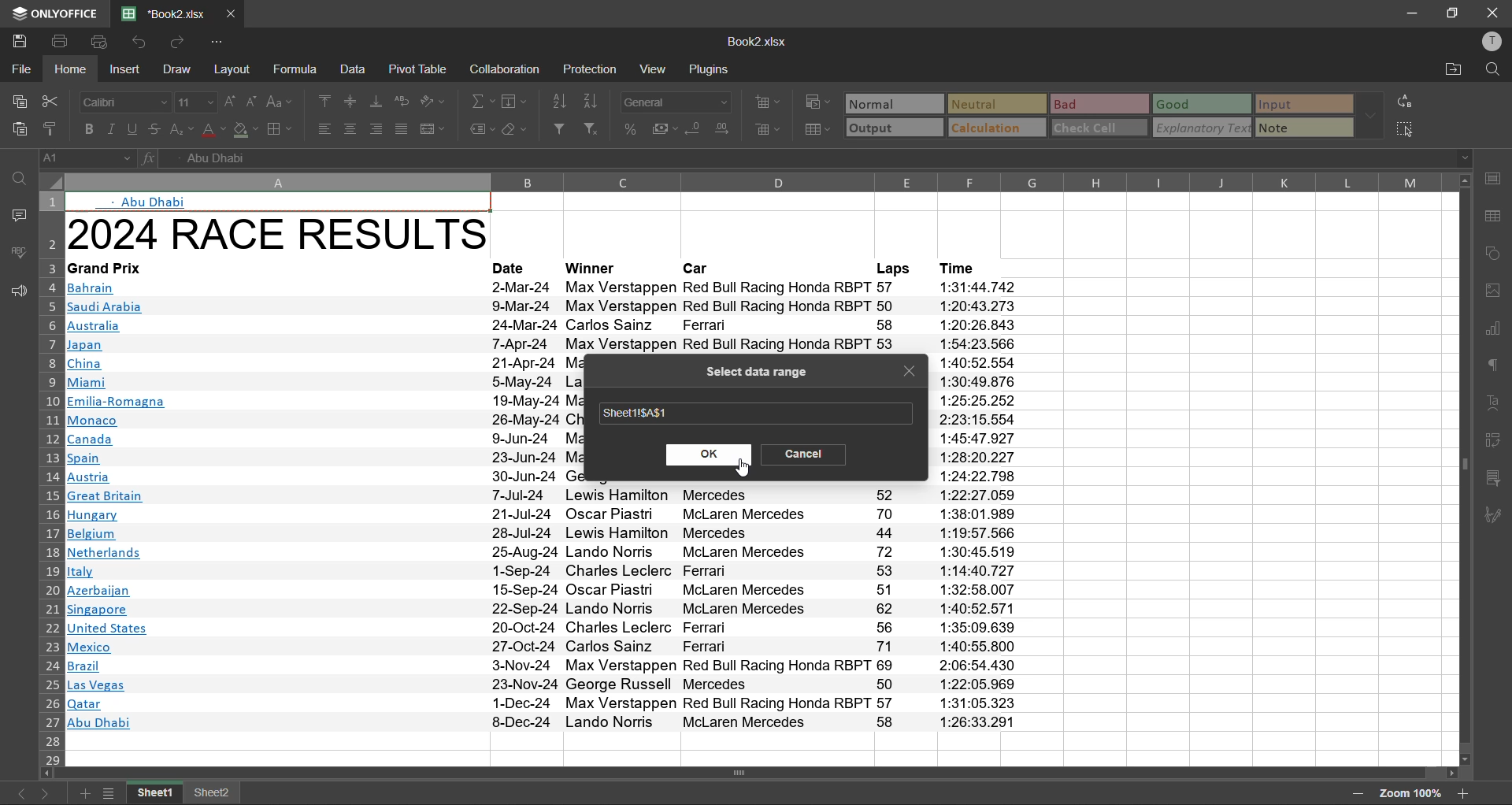 The image size is (1512, 805). Describe the element at coordinates (751, 300) in the screenshot. I see `Date, Winner,Car,Laps, Time Data` at that location.